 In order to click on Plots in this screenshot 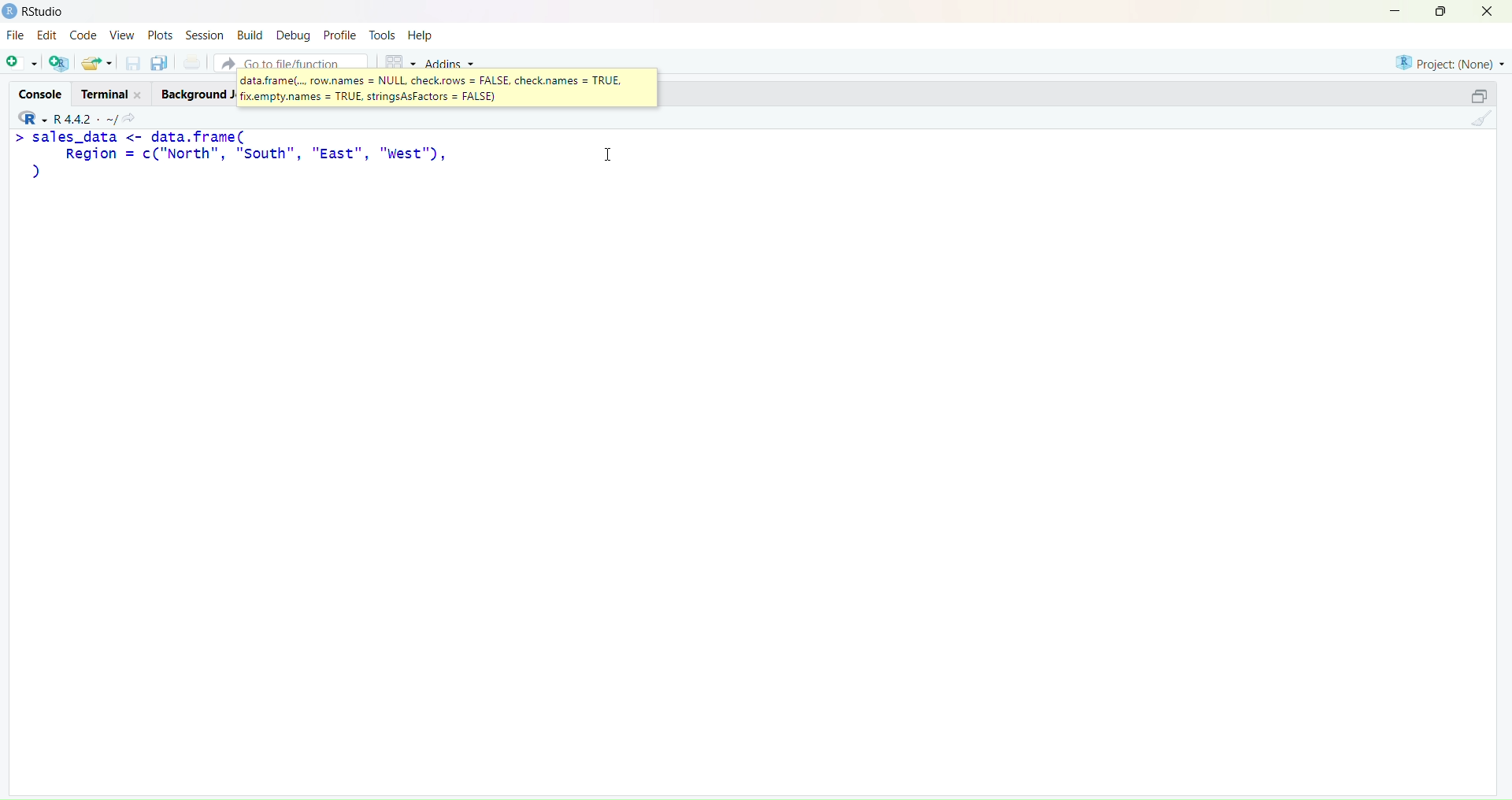, I will do `click(160, 33)`.